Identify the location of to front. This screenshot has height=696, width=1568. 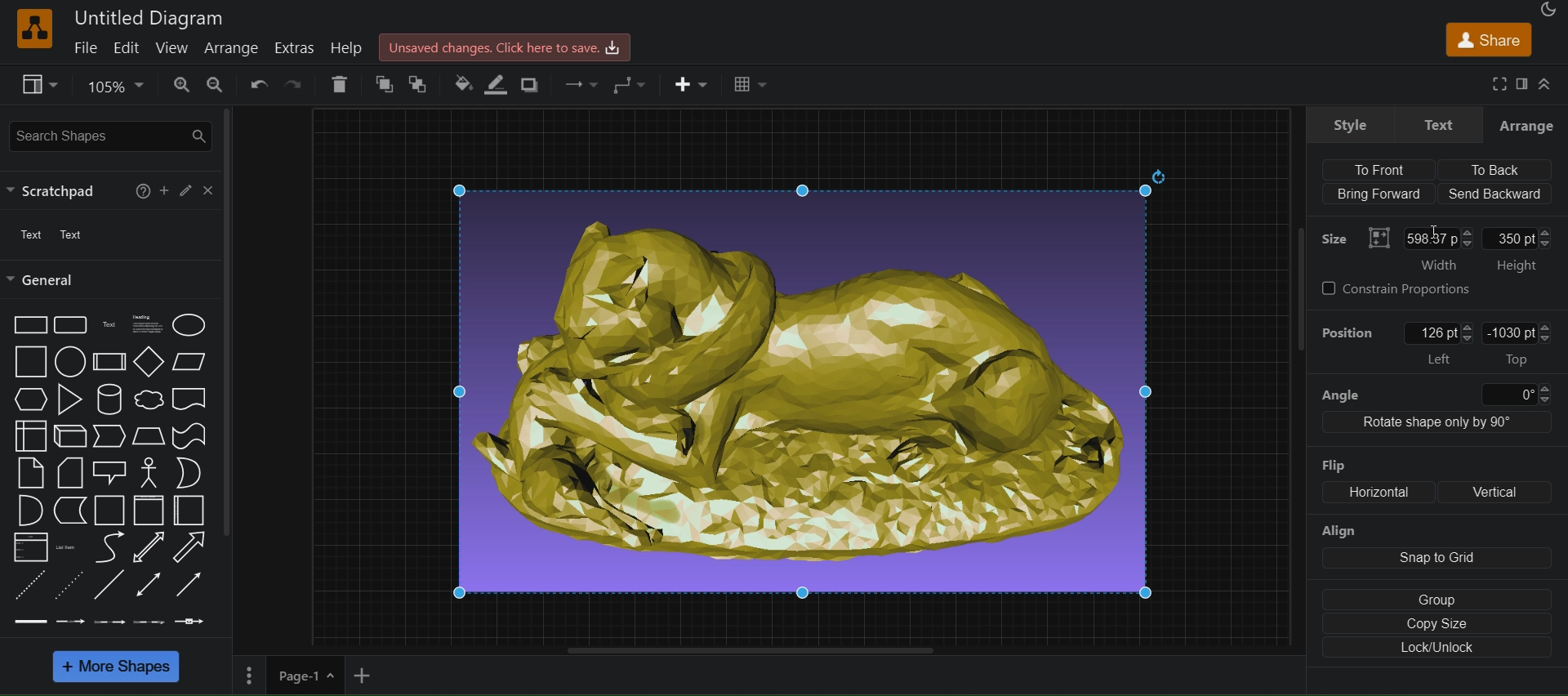
(378, 84).